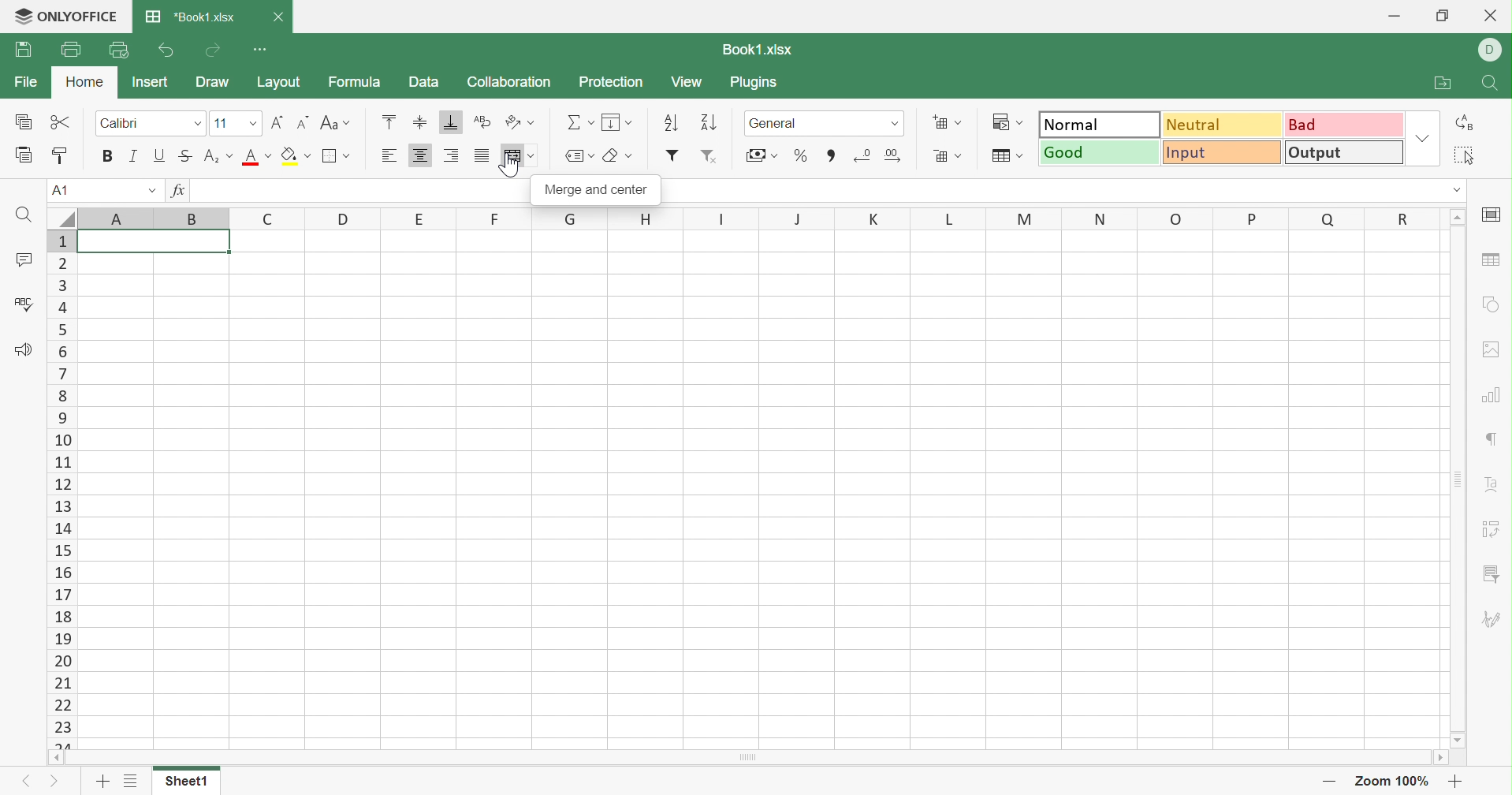 This screenshot has height=795, width=1512. I want to click on Add sheet, so click(105, 784).